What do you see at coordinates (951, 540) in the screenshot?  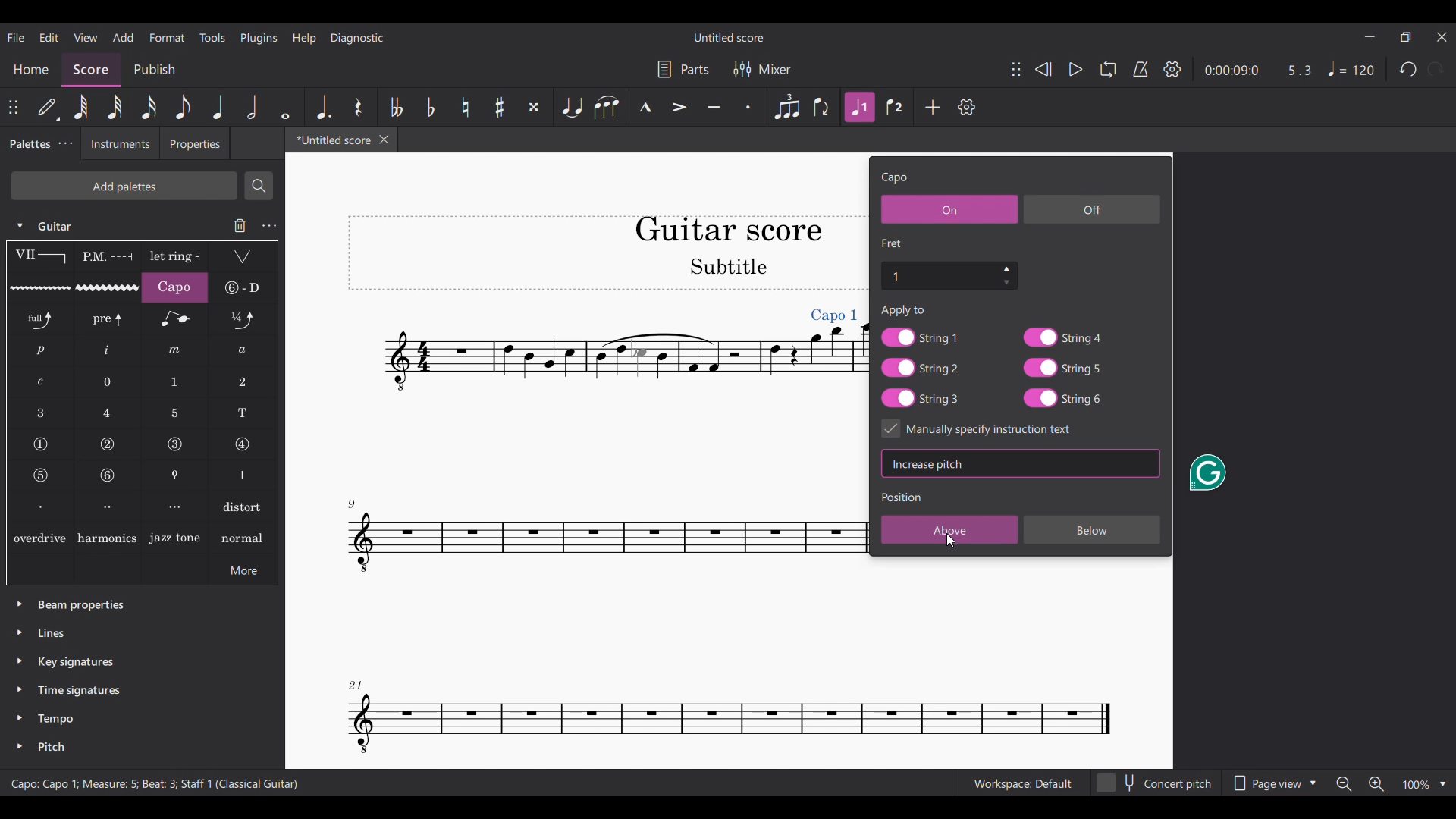 I see `Cursor` at bounding box center [951, 540].